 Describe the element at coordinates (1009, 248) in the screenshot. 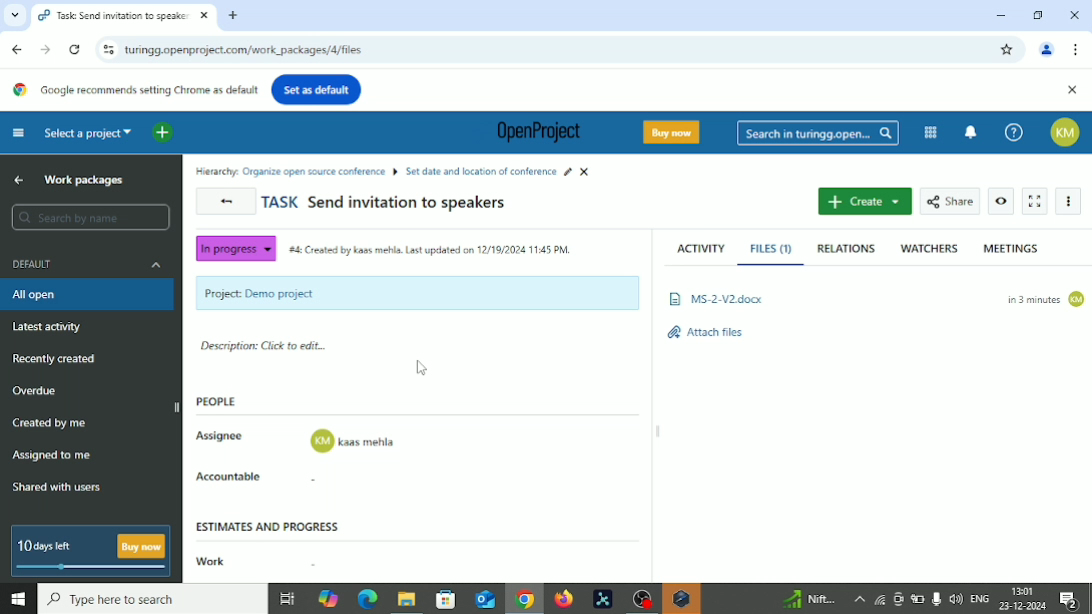

I see `Meetings` at that location.